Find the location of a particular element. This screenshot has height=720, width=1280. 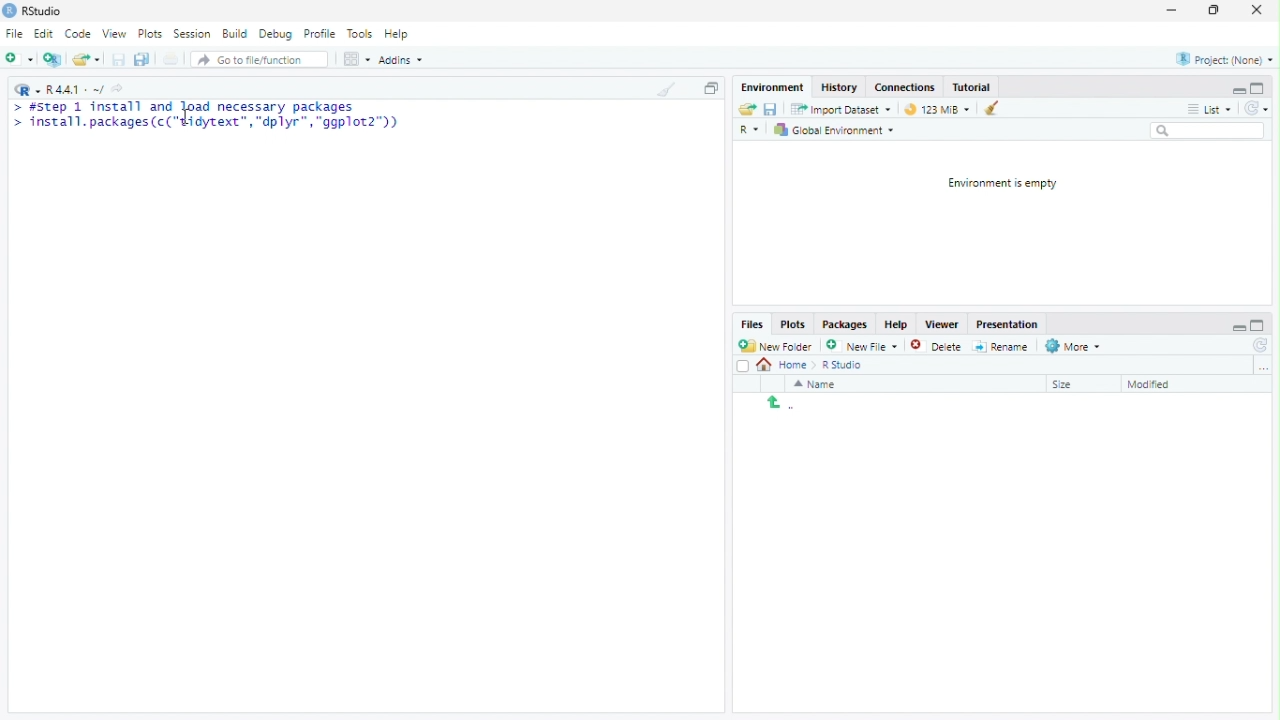

Session is located at coordinates (192, 33).